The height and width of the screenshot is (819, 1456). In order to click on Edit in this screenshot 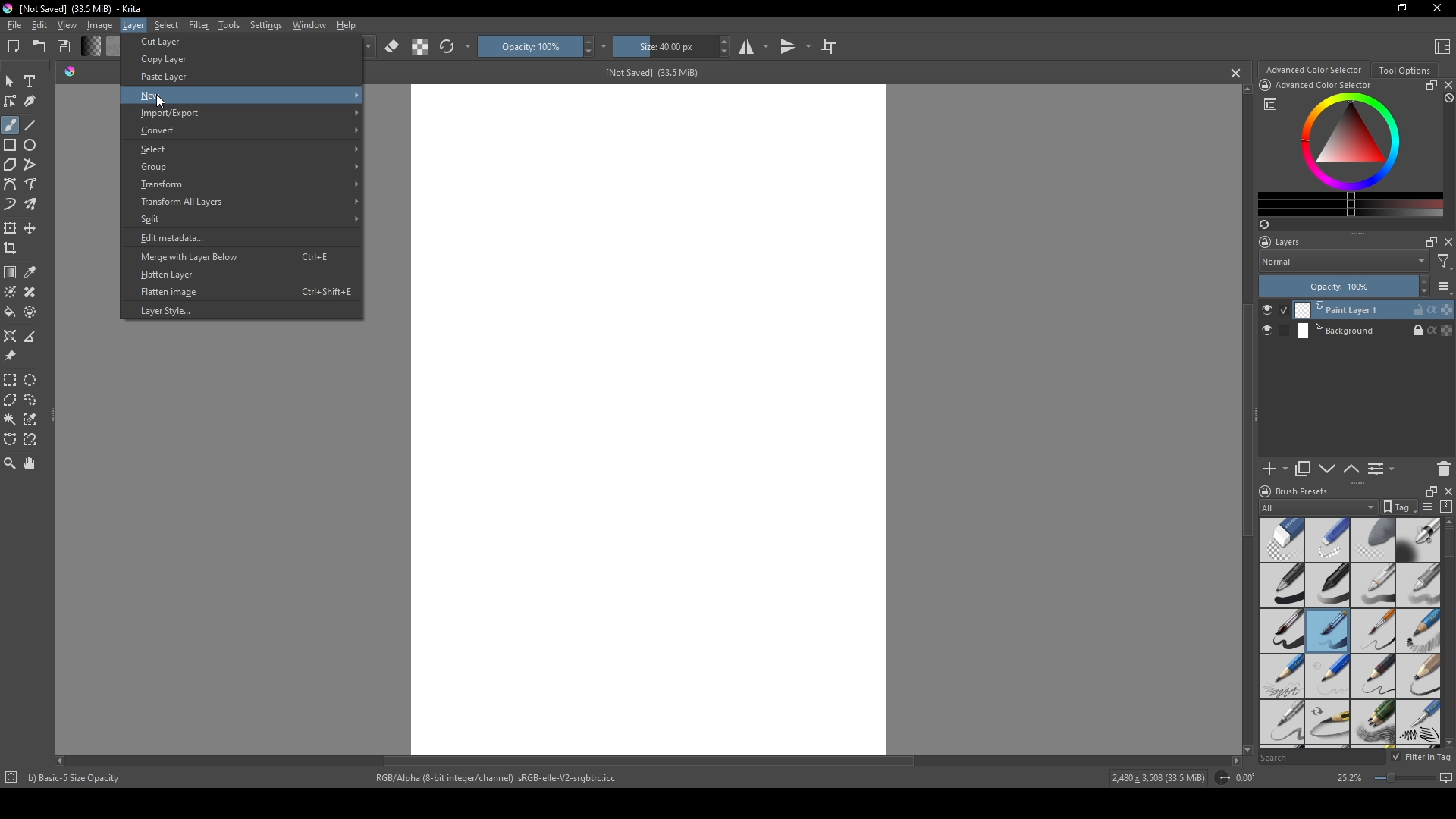, I will do `click(39, 25)`.